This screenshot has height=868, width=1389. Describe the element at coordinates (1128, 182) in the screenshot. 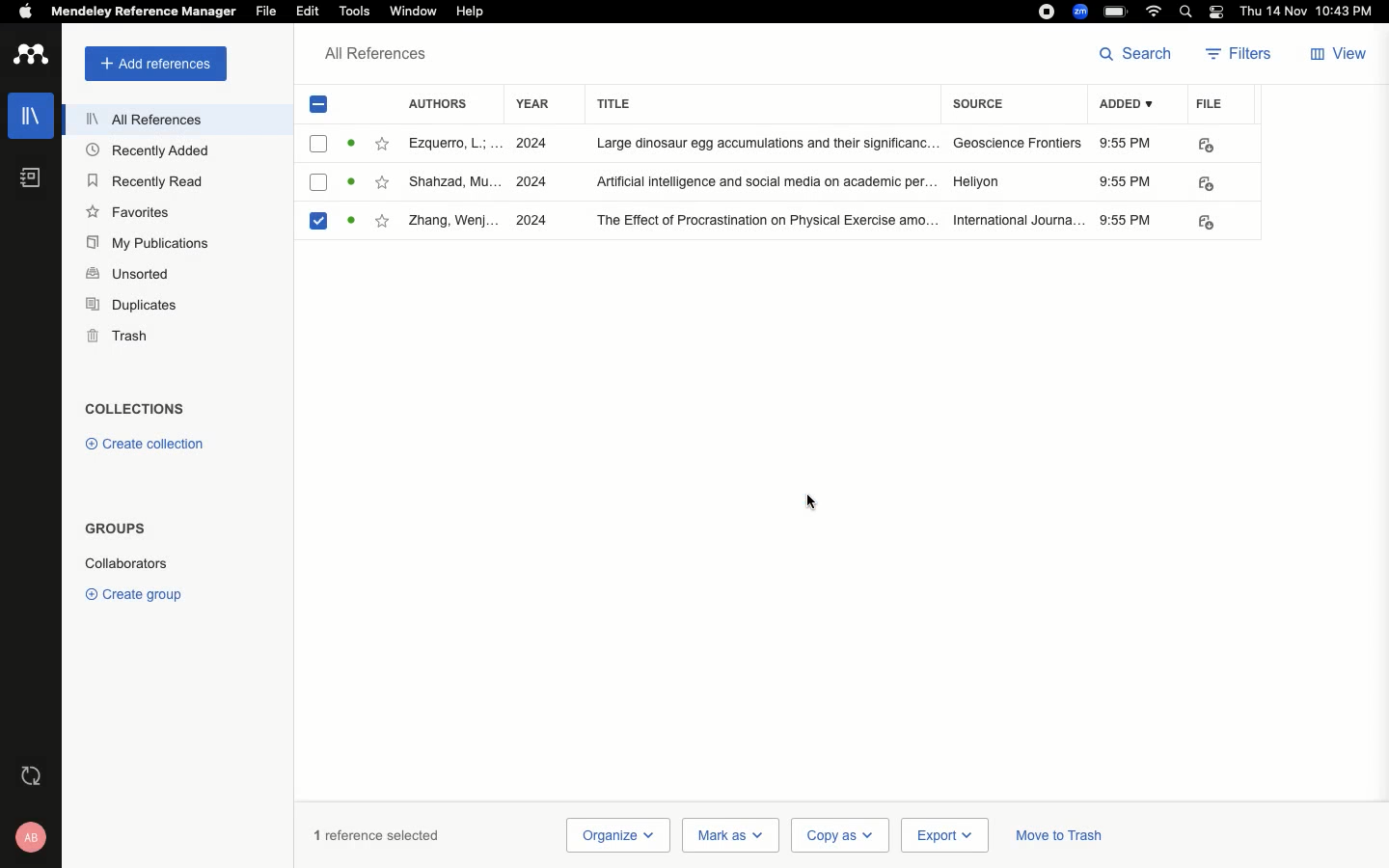

I see `9:55 PM` at that location.